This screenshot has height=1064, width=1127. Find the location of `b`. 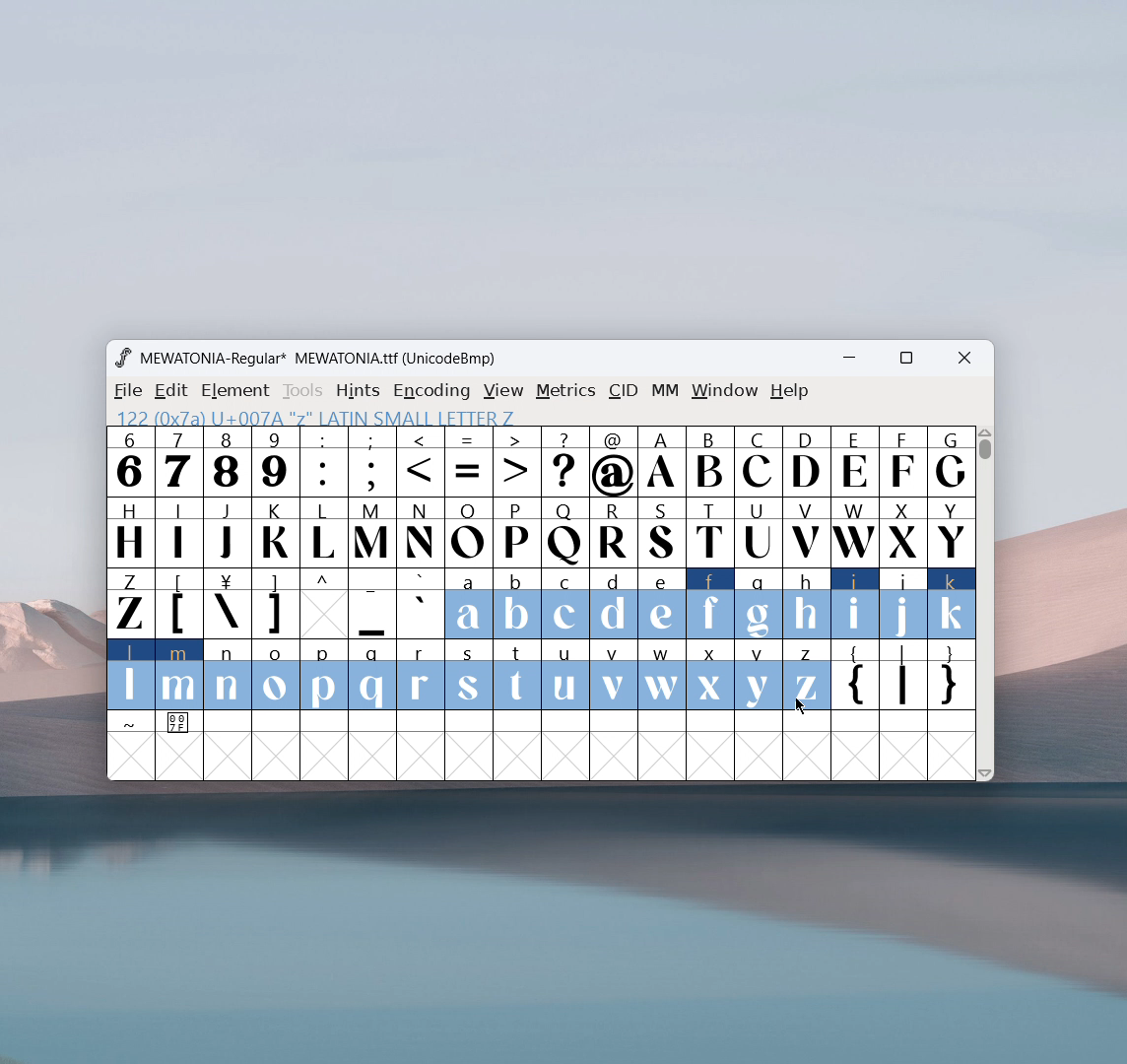

b is located at coordinates (517, 605).